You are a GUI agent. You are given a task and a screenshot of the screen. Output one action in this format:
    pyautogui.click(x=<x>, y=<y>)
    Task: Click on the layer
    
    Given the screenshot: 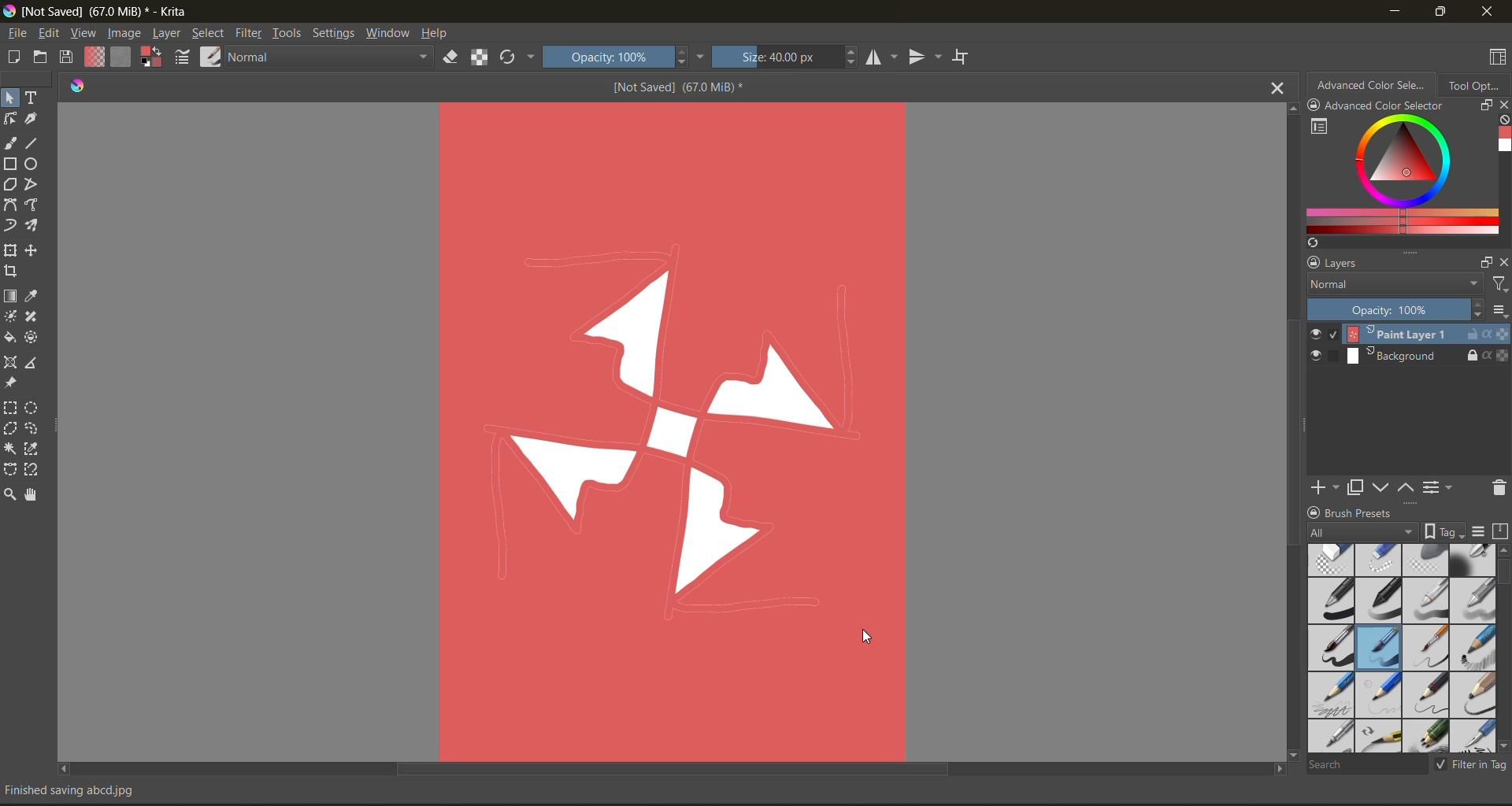 What is the action you would take?
    pyautogui.click(x=1407, y=355)
    